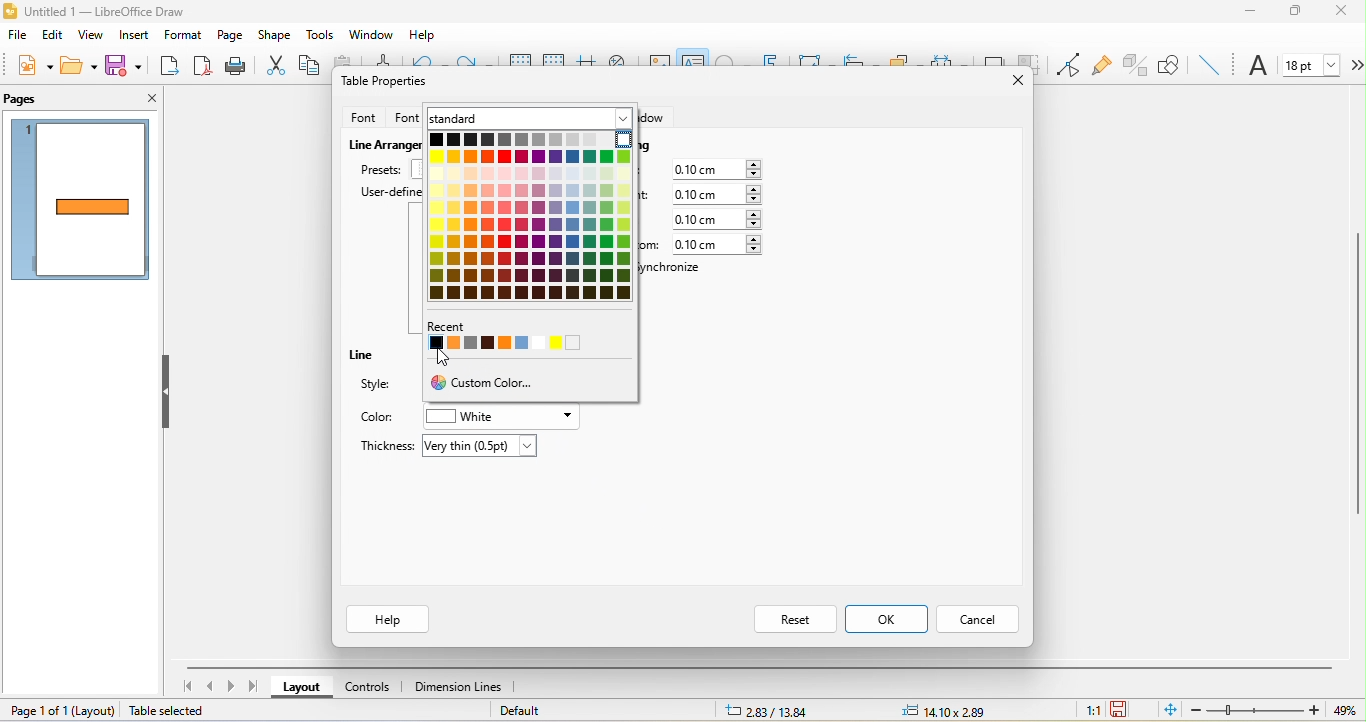 Image resolution: width=1366 pixels, height=722 pixels. Describe the element at coordinates (378, 419) in the screenshot. I see `color` at that location.